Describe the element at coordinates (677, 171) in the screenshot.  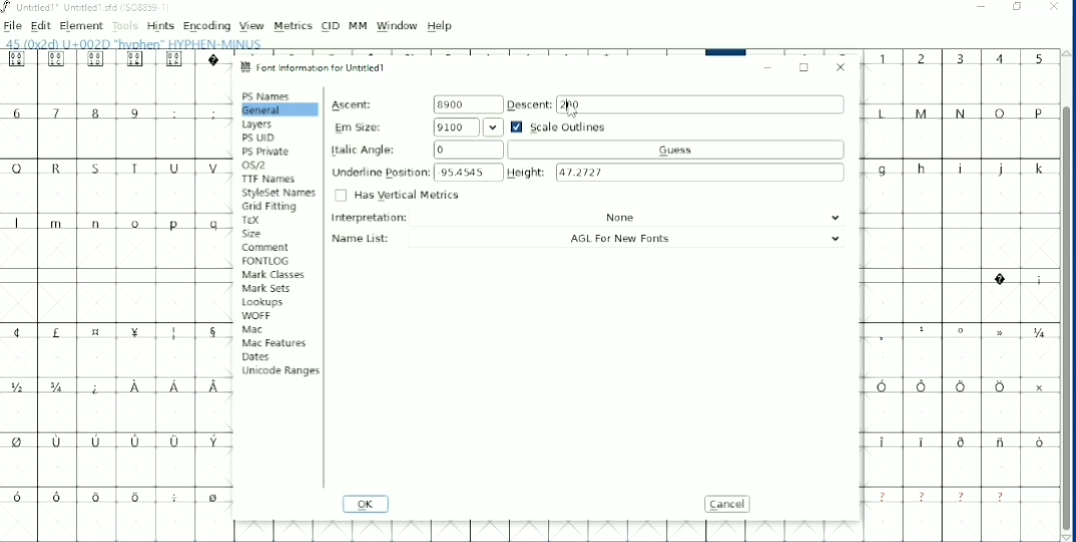
I see `Height` at that location.